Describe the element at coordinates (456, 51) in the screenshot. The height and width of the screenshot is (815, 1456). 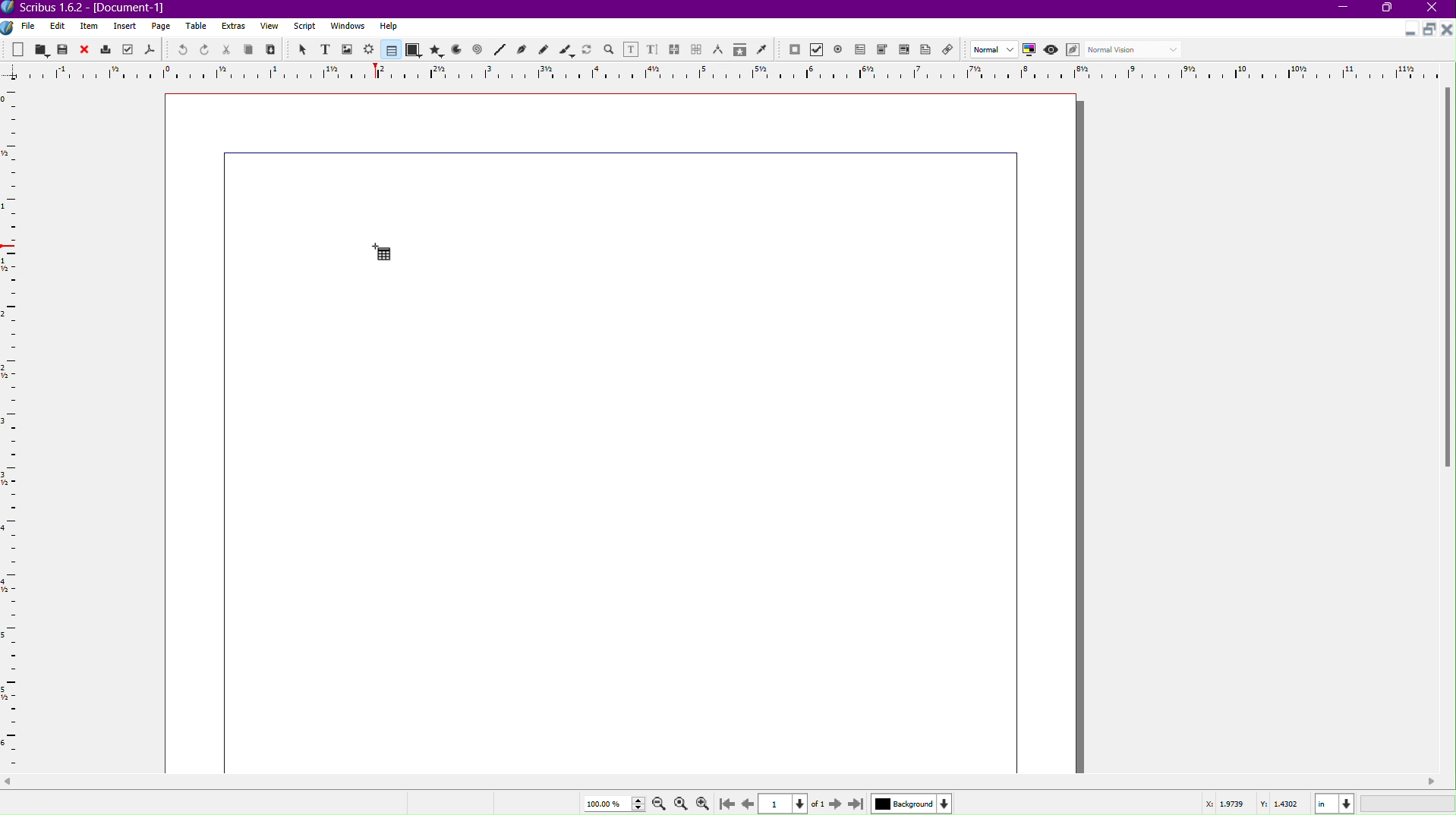
I see `Arc` at that location.